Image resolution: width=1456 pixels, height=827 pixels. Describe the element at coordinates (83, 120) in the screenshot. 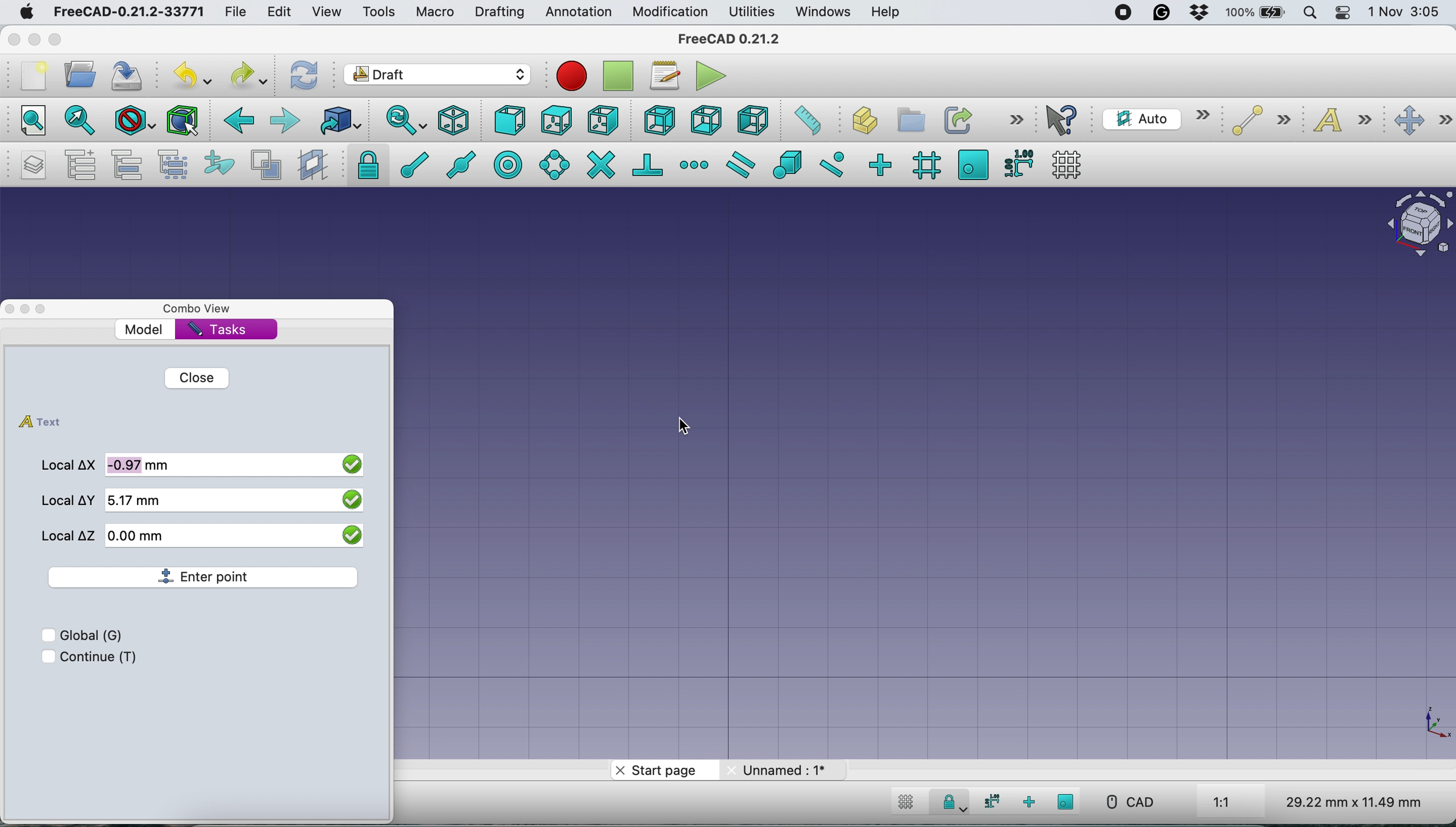

I see `fit selection` at that location.